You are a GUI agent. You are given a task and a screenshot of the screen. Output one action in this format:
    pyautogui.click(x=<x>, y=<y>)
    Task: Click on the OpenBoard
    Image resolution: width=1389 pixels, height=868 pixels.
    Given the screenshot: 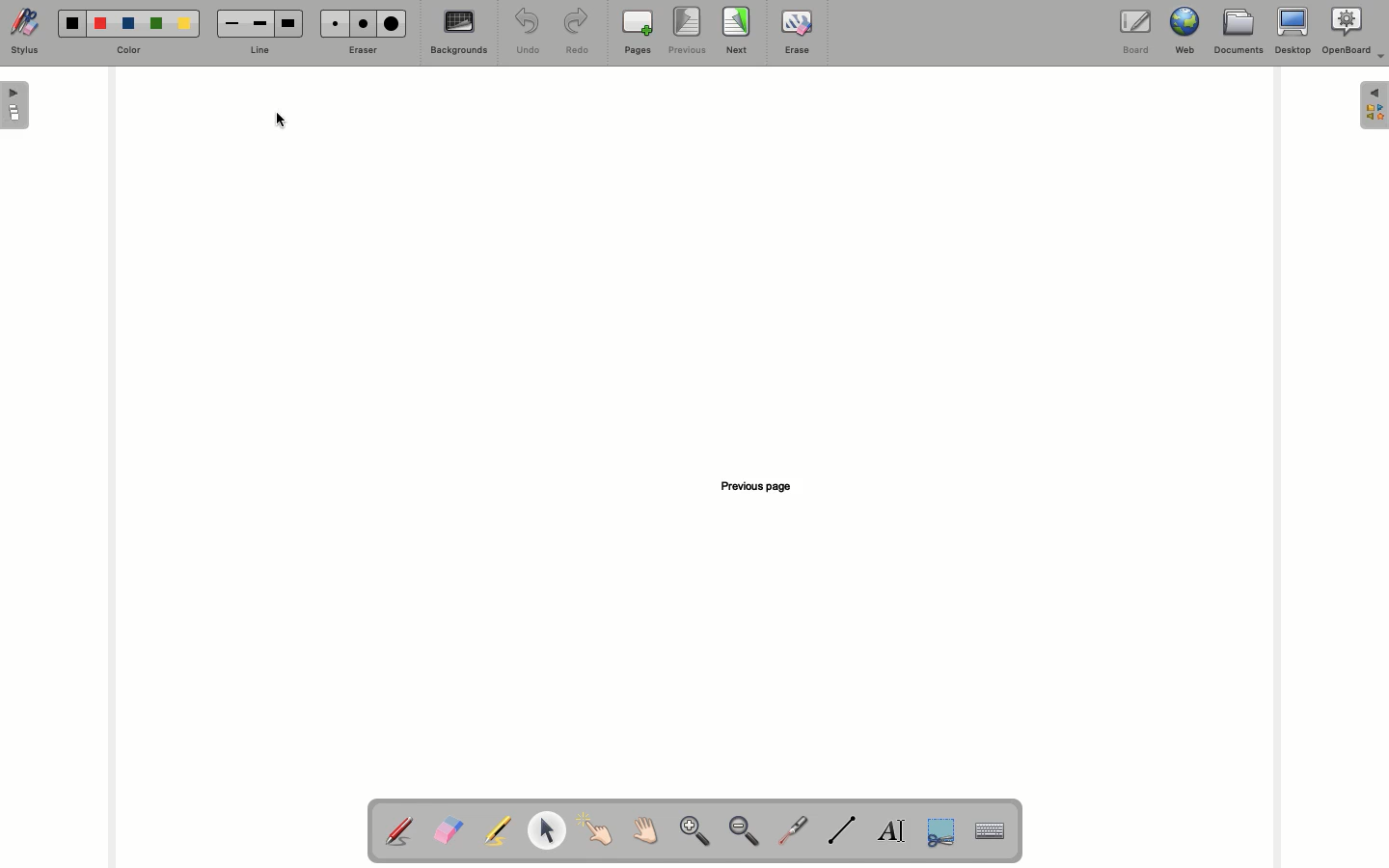 What is the action you would take?
    pyautogui.click(x=1354, y=31)
    